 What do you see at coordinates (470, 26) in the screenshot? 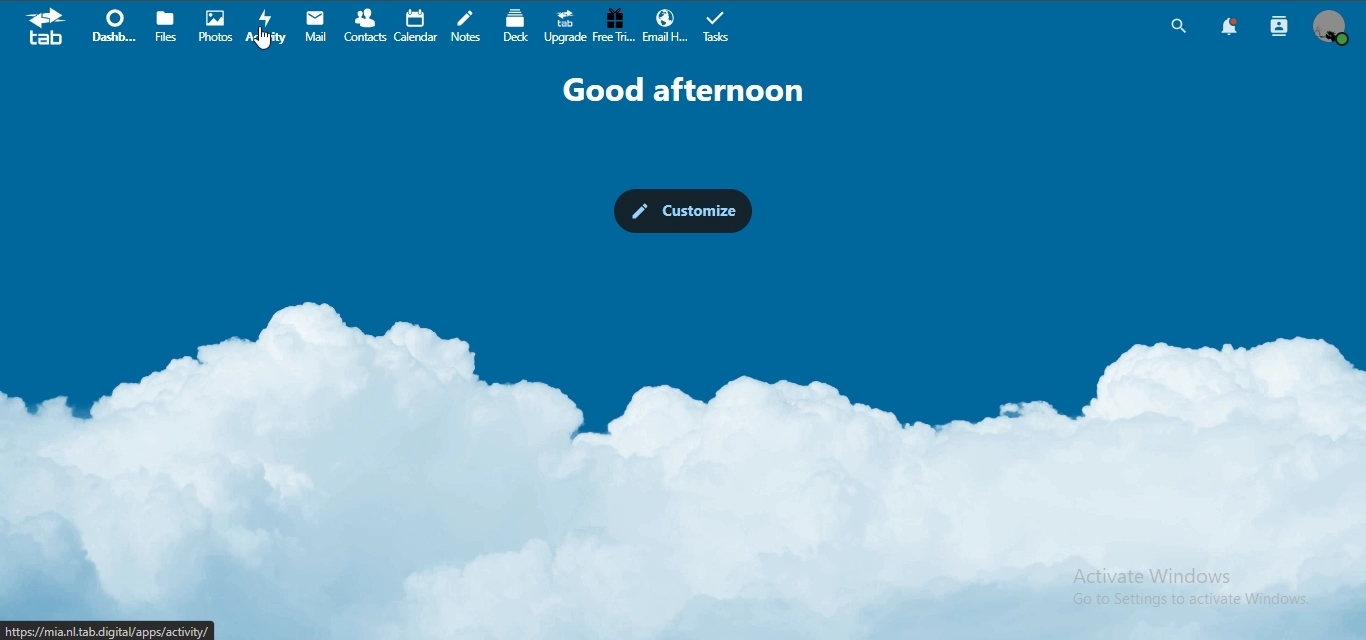
I see `notes` at bounding box center [470, 26].